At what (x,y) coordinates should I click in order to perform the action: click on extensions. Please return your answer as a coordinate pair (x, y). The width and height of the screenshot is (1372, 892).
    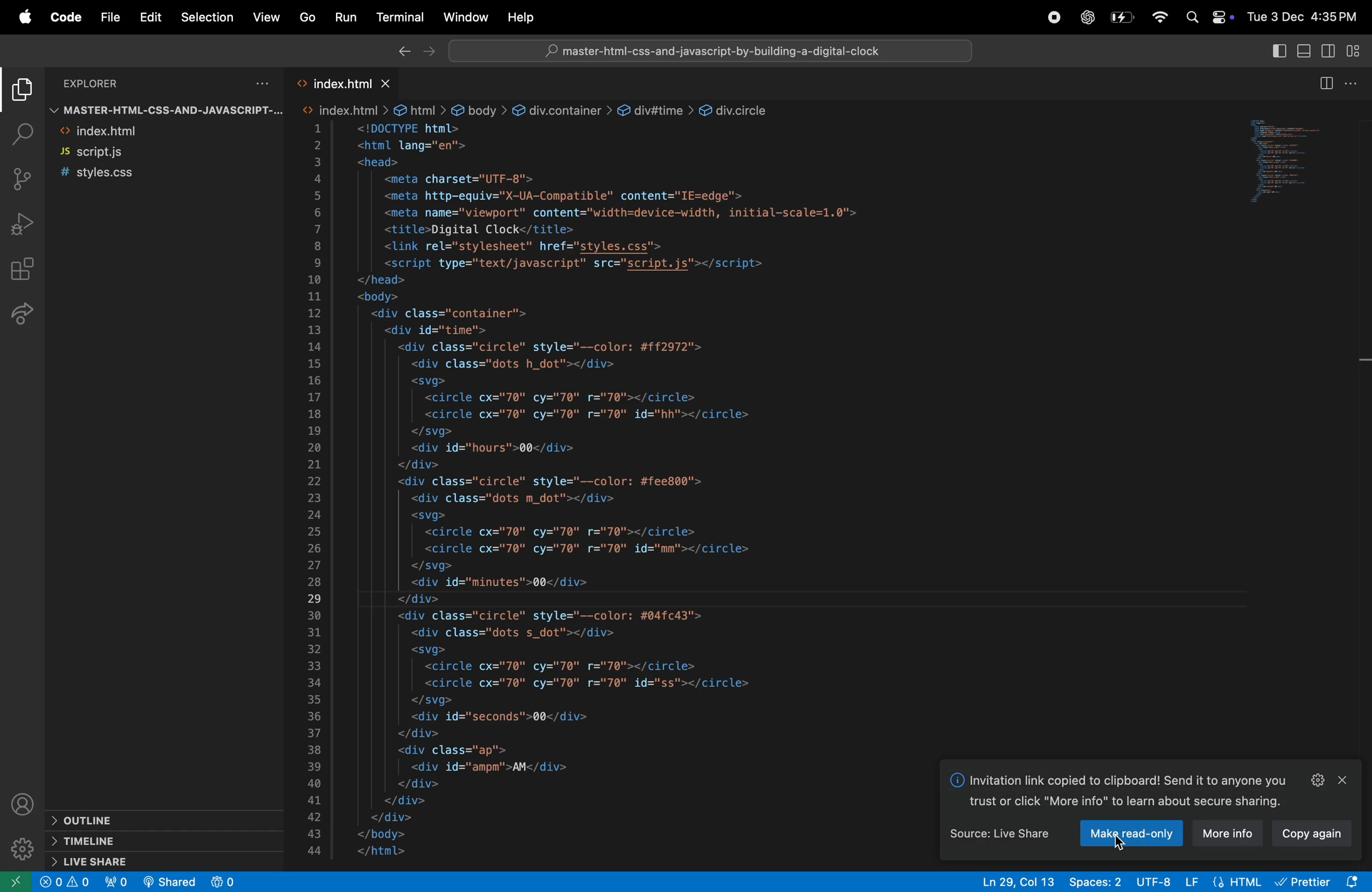
    Looking at the image, I should click on (24, 270).